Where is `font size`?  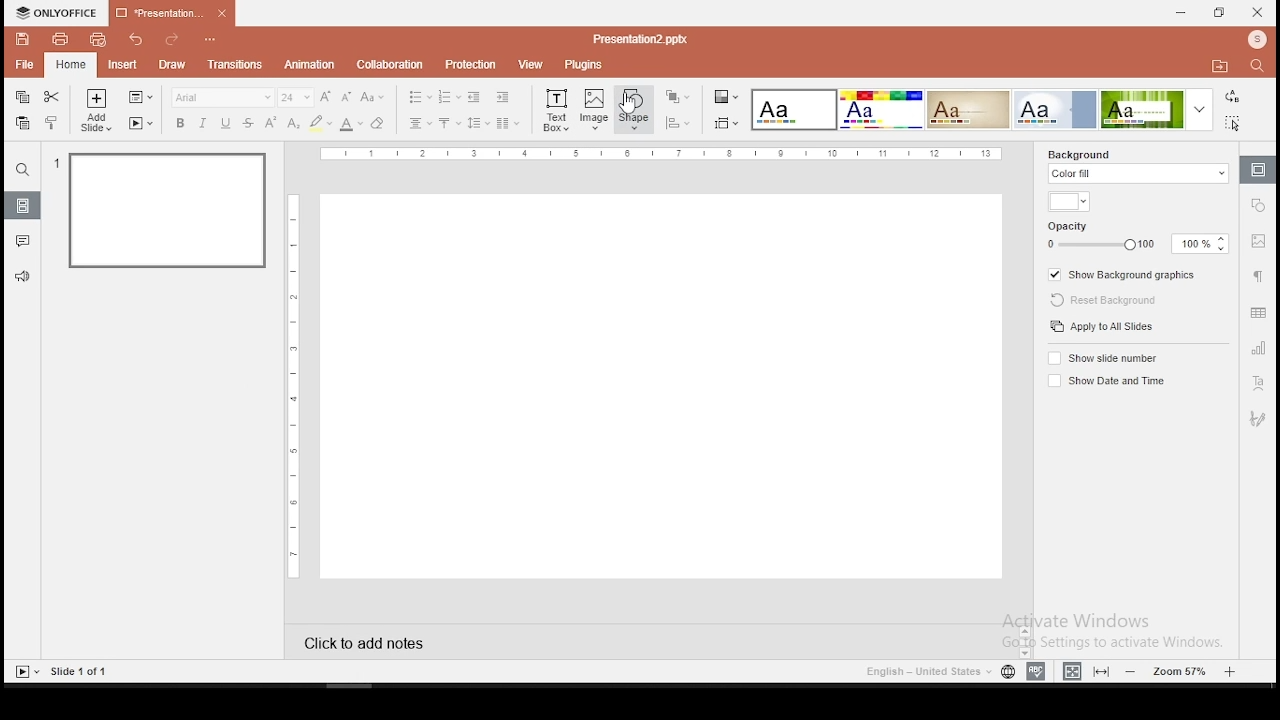 font size is located at coordinates (297, 97).